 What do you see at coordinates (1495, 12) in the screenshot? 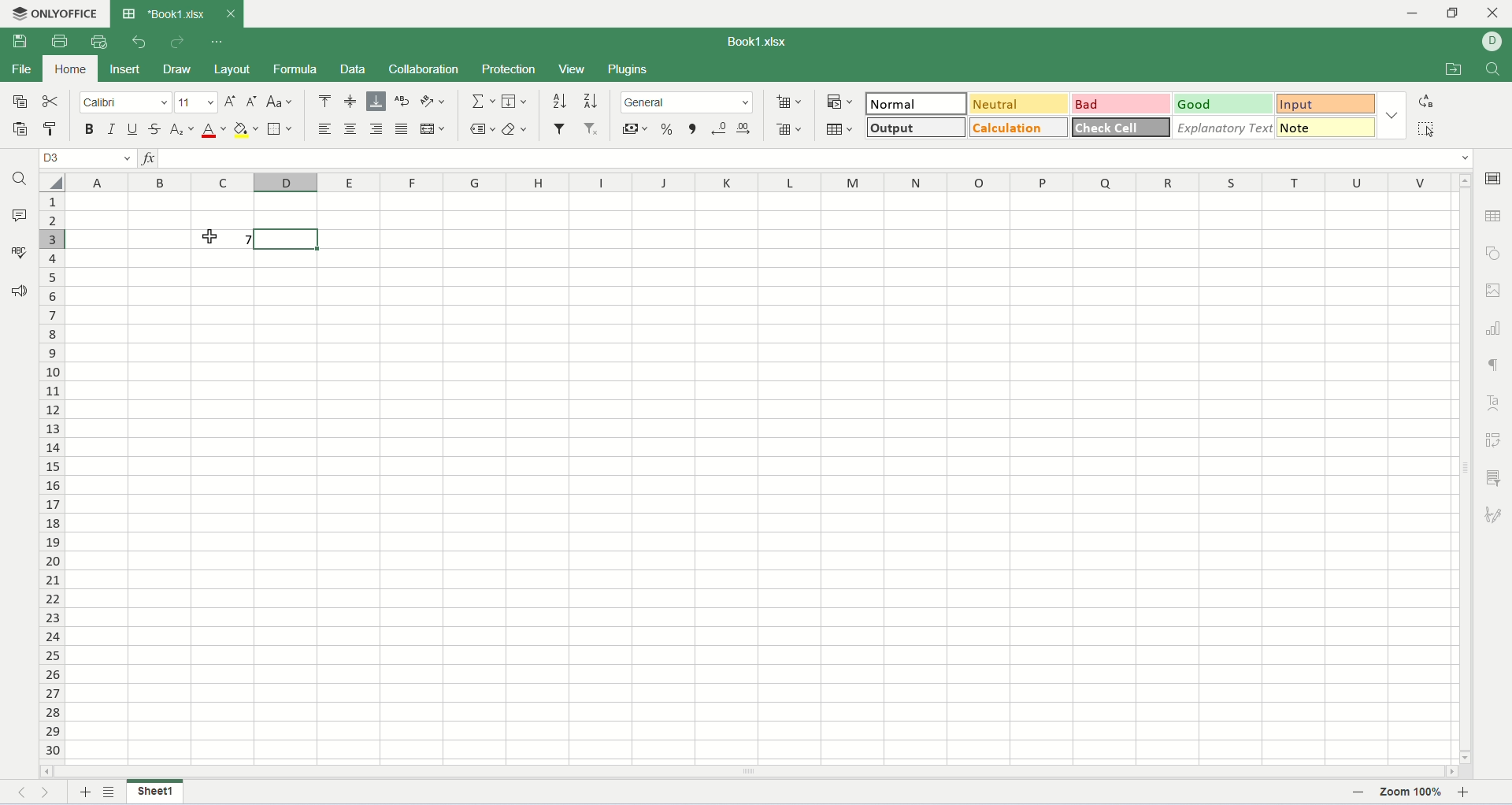
I see `close` at bounding box center [1495, 12].